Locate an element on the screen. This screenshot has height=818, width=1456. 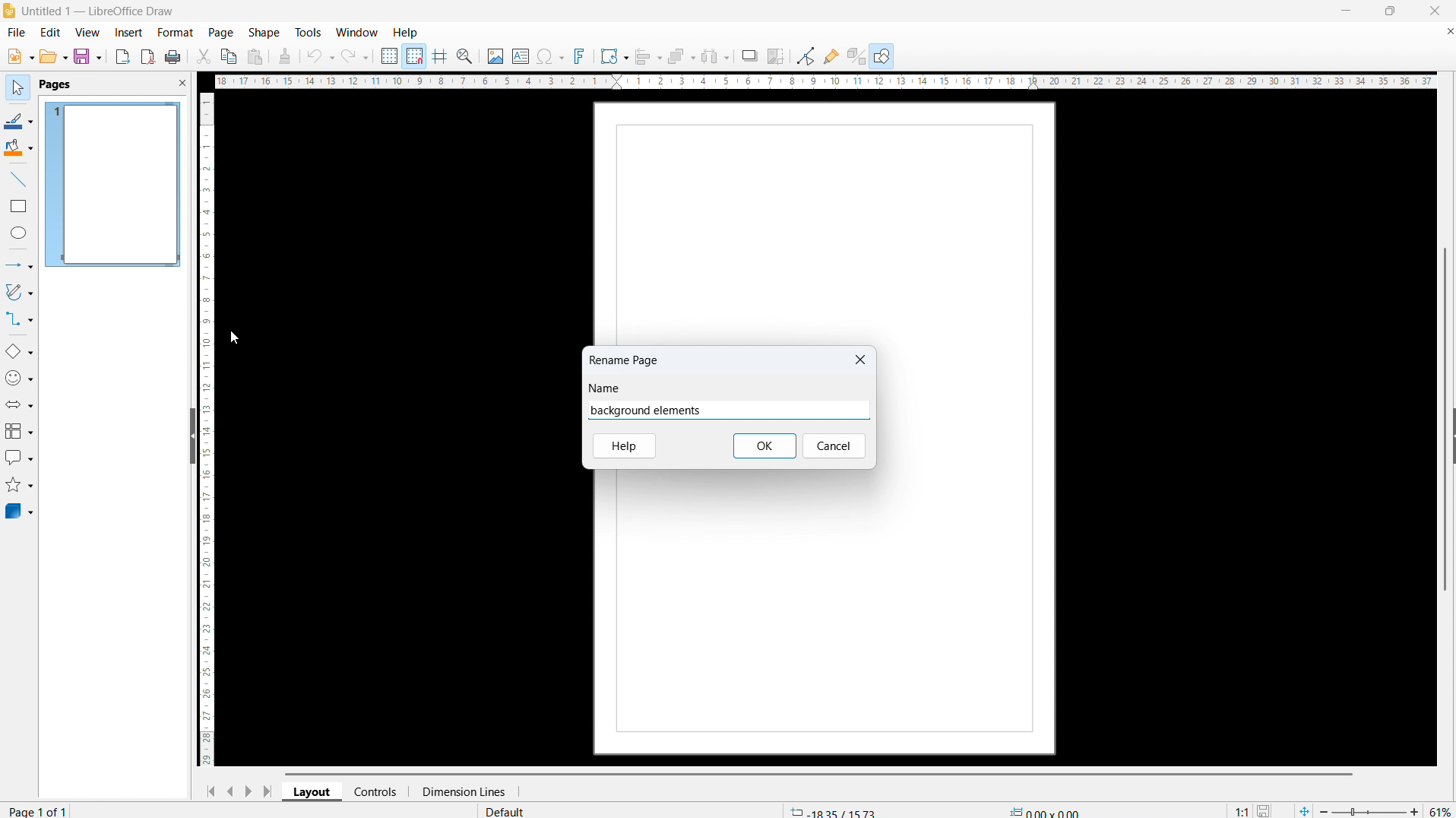
shape is located at coordinates (264, 33).